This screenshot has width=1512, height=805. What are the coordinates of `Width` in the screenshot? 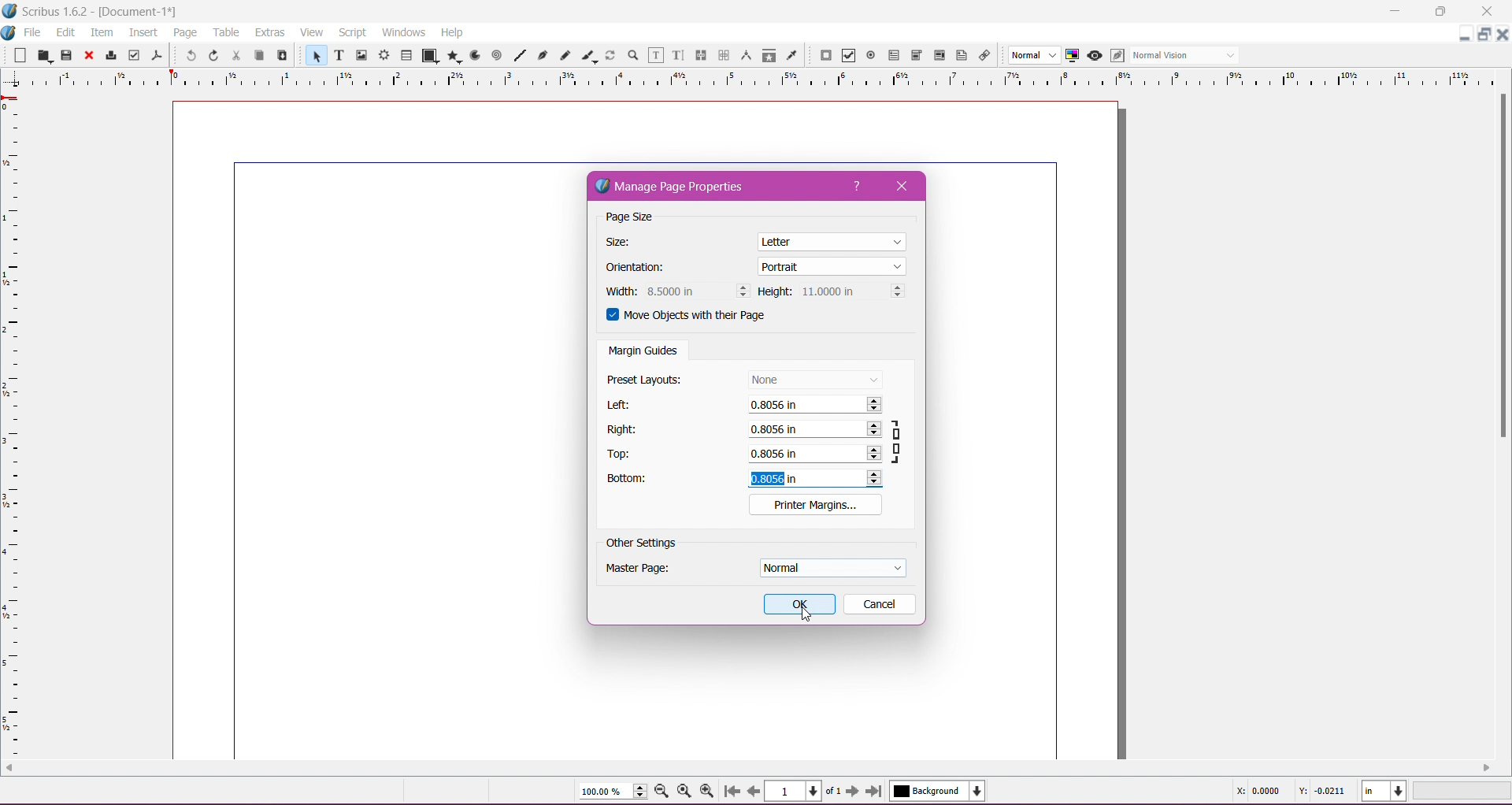 It's located at (618, 291).